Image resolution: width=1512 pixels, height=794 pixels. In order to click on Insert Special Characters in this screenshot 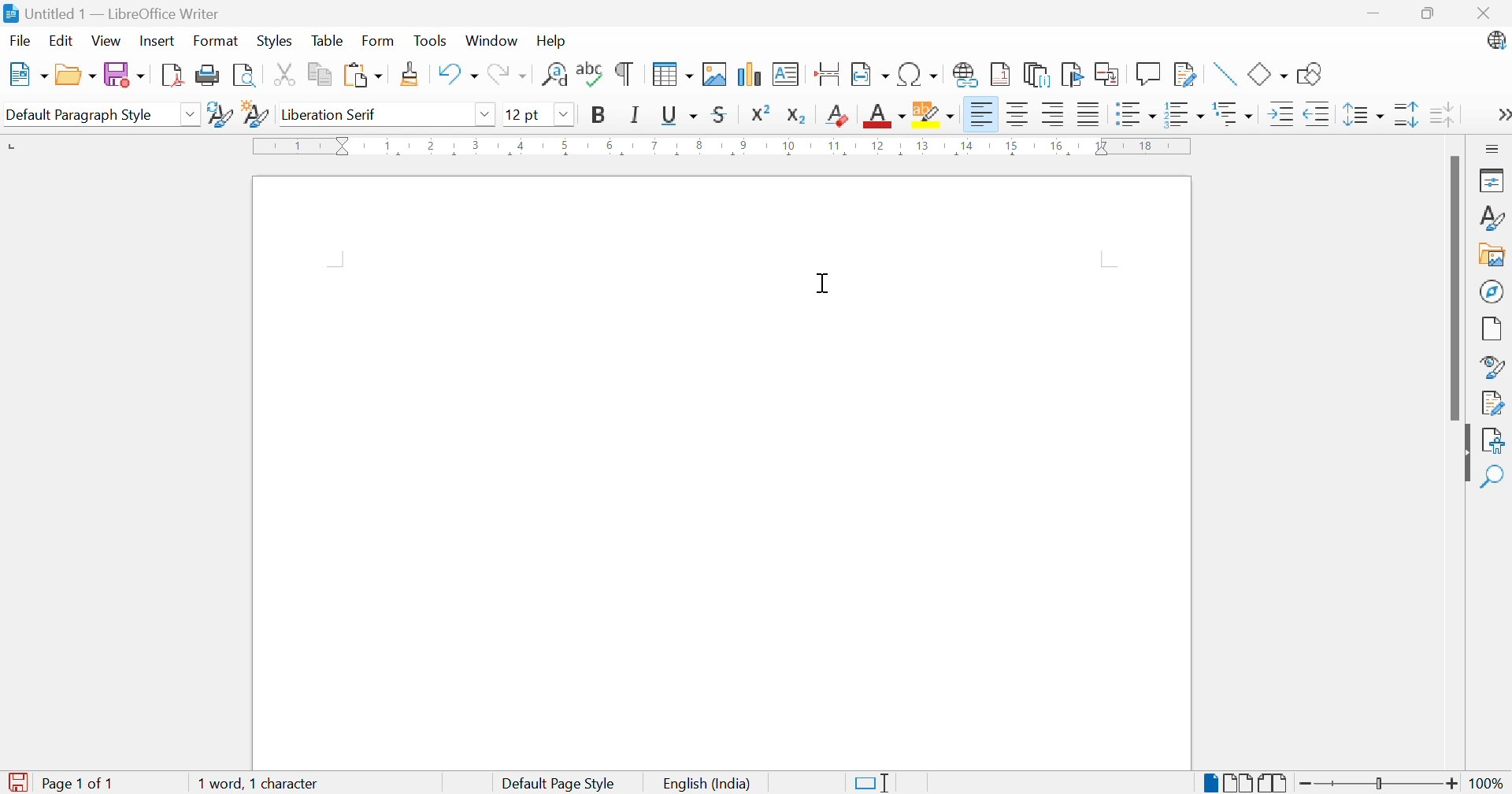, I will do `click(918, 74)`.